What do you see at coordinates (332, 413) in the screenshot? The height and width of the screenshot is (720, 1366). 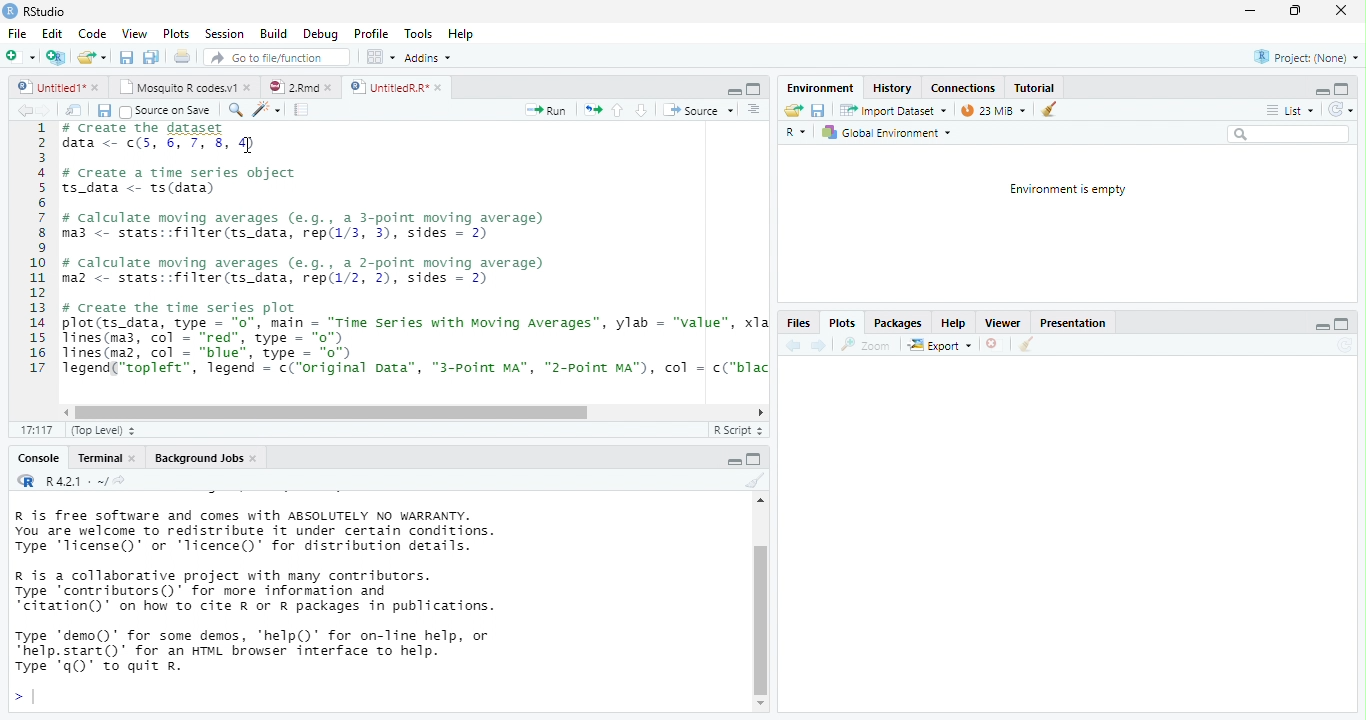 I see `horizontal scrollbar` at bounding box center [332, 413].